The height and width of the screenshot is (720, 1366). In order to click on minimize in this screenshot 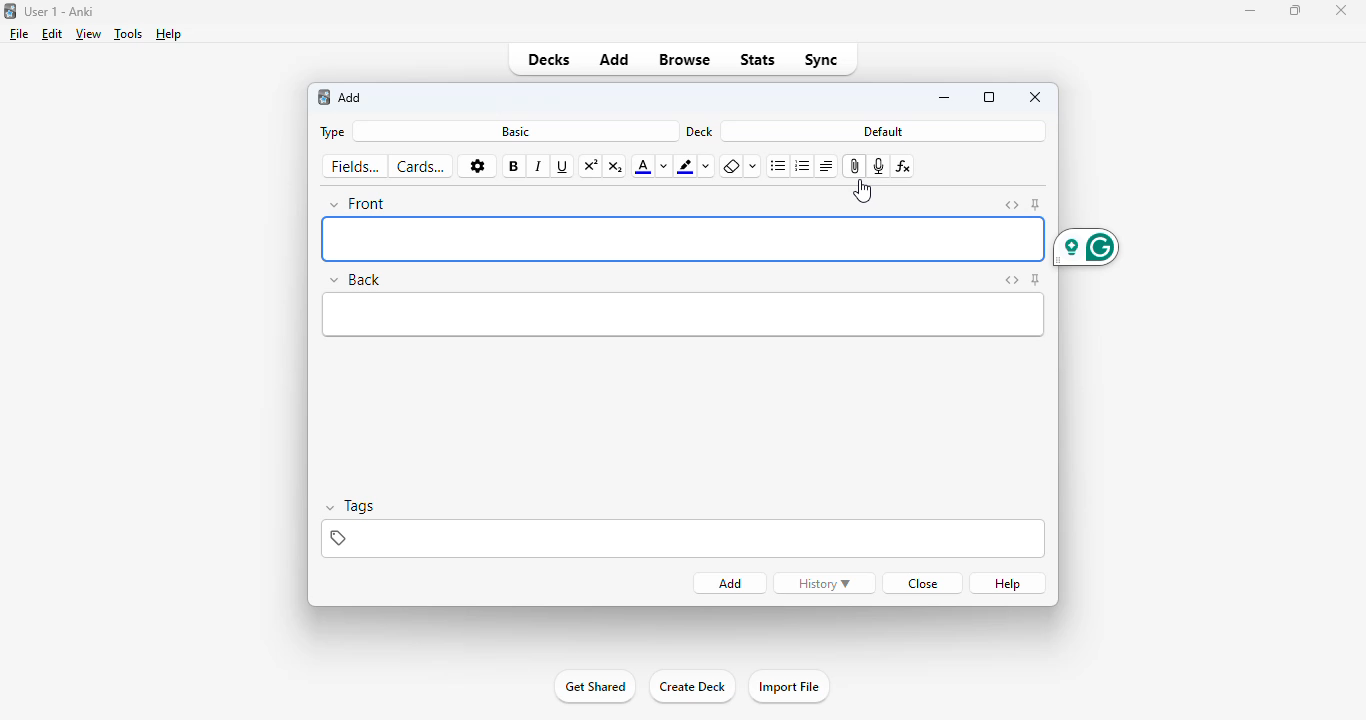, I will do `click(944, 98)`.